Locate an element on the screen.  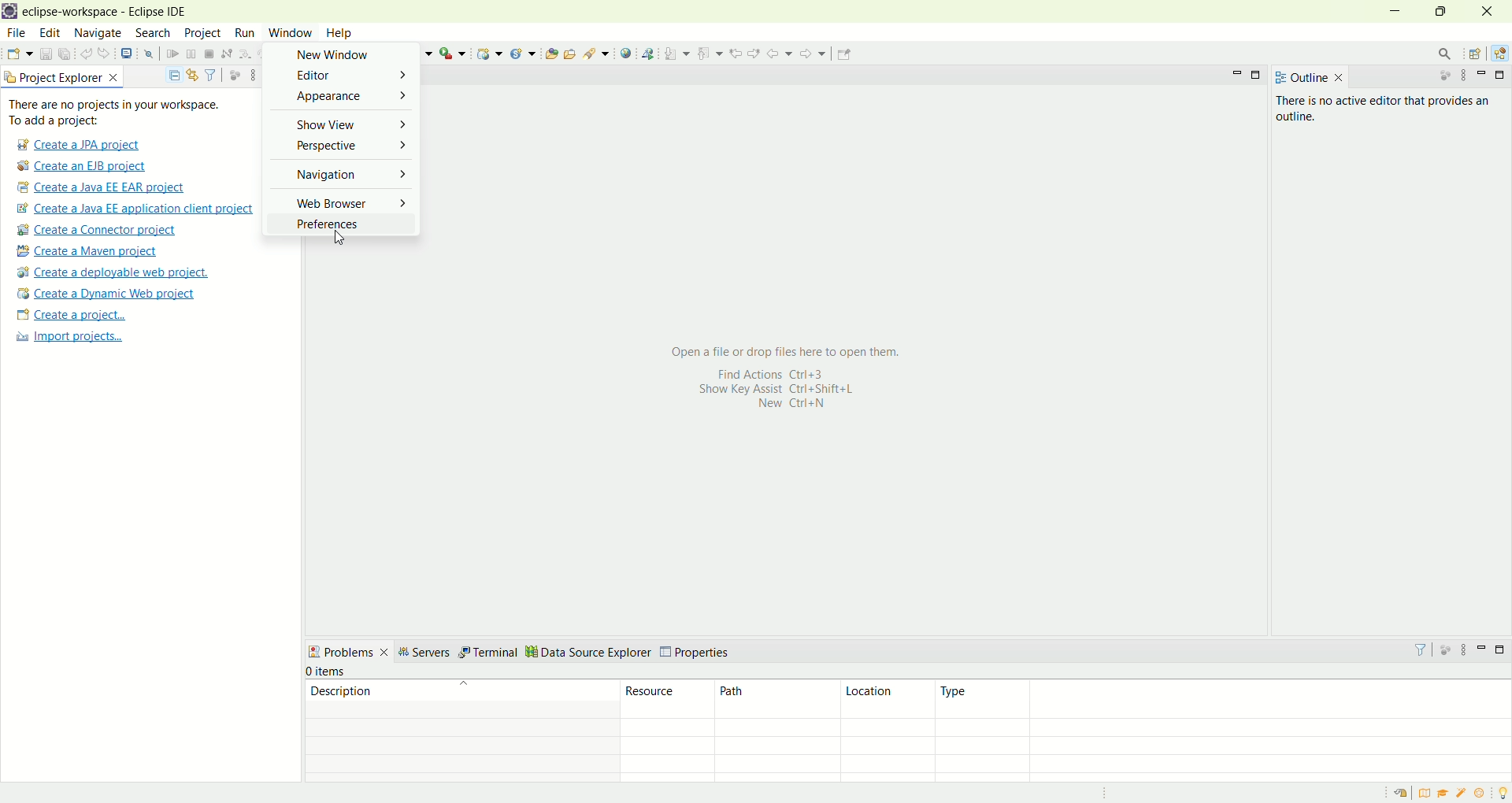
undo is located at coordinates (87, 54).